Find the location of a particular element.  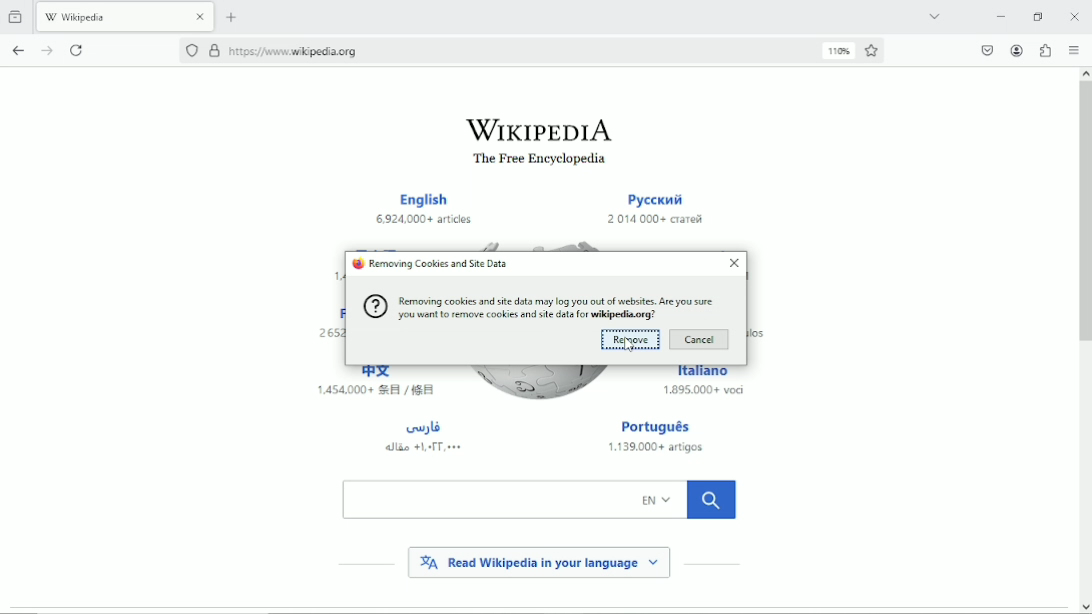

reload current page is located at coordinates (79, 49).